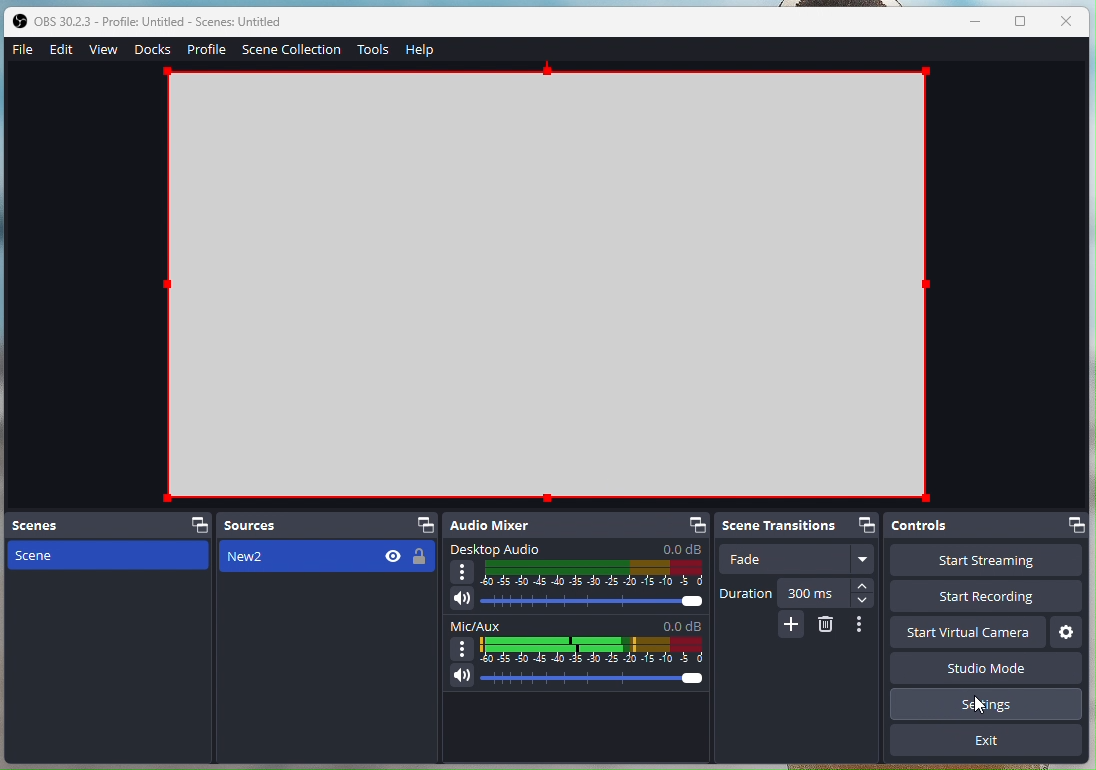 This screenshot has width=1096, height=770. Describe the element at coordinates (915, 668) in the screenshot. I see `Studio Mode` at that location.